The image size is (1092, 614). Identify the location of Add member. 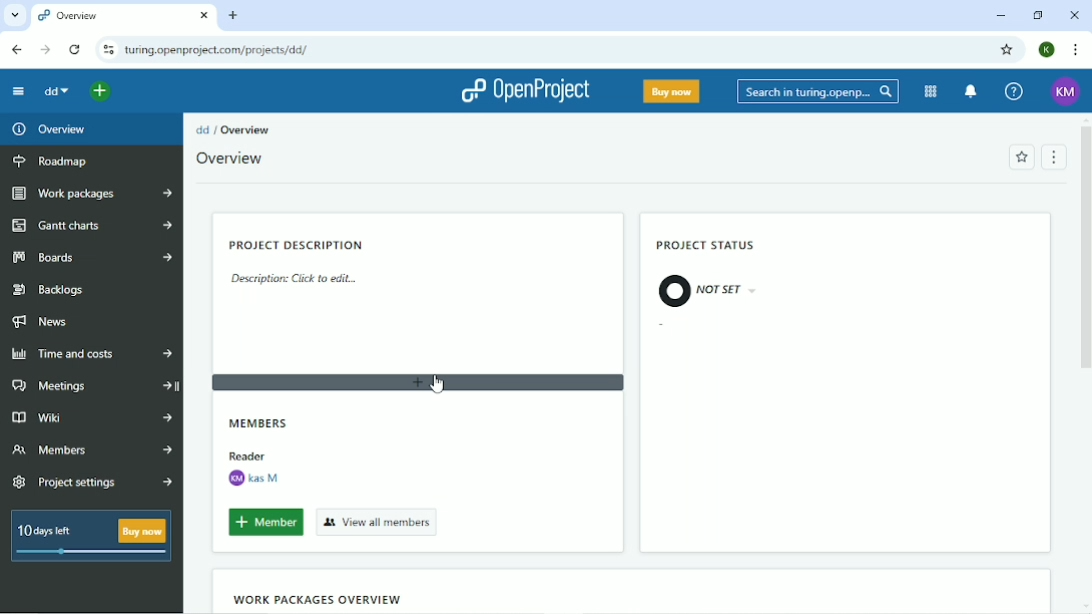
(265, 522).